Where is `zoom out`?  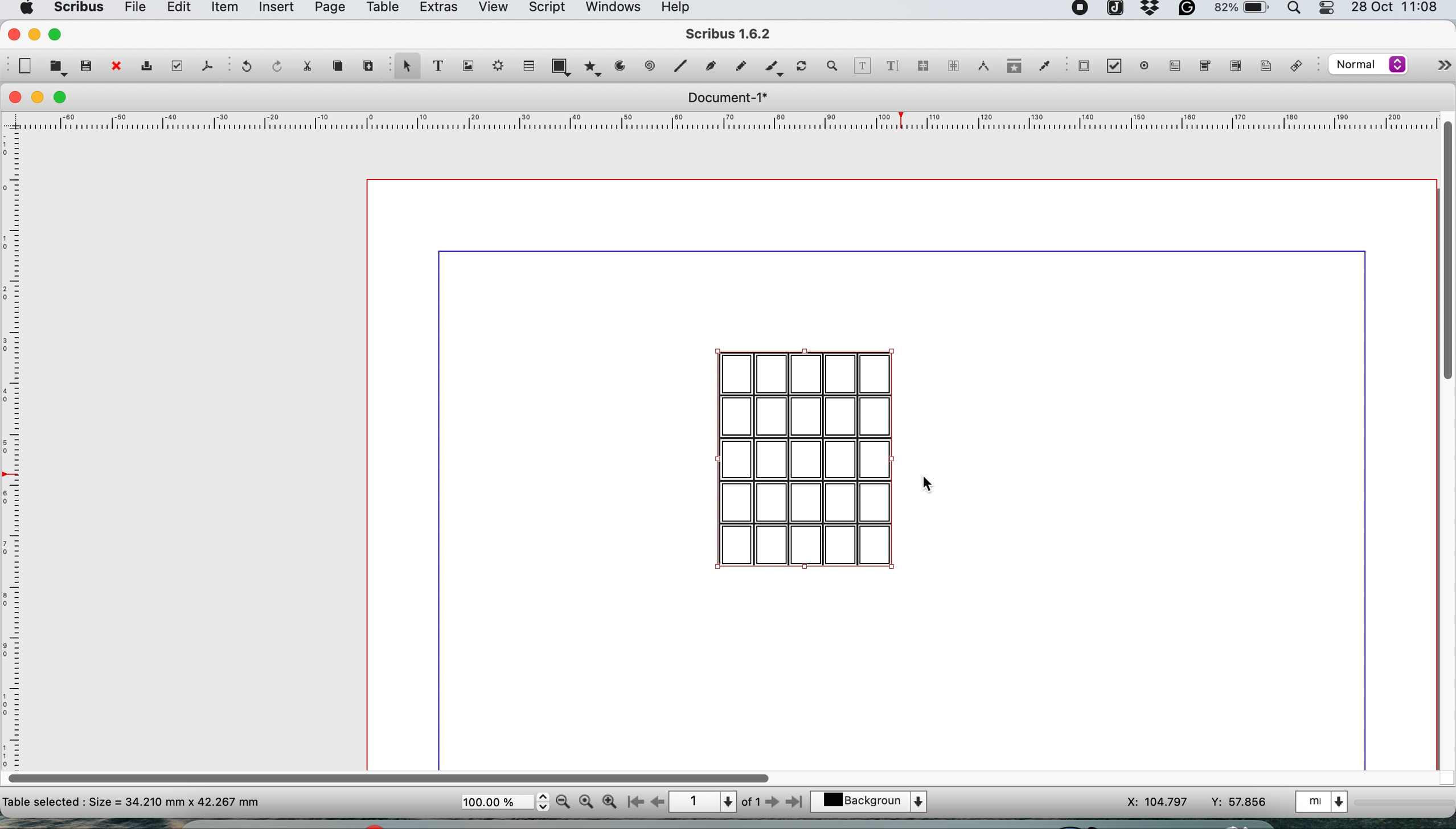
zoom out is located at coordinates (565, 802).